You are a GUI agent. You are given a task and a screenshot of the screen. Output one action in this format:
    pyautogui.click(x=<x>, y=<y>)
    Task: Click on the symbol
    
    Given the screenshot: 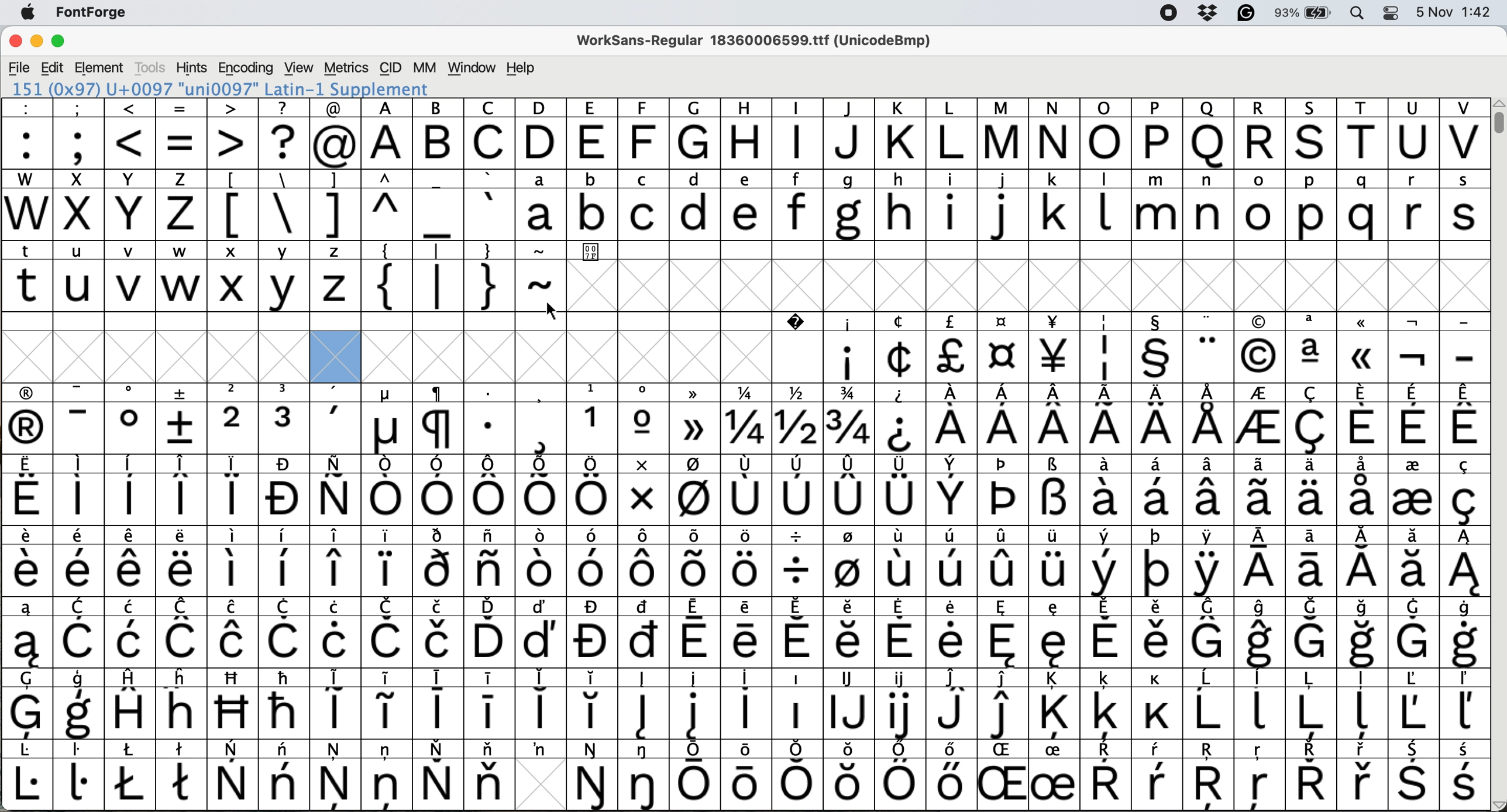 What is the action you would take?
    pyautogui.click(x=902, y=560)
    